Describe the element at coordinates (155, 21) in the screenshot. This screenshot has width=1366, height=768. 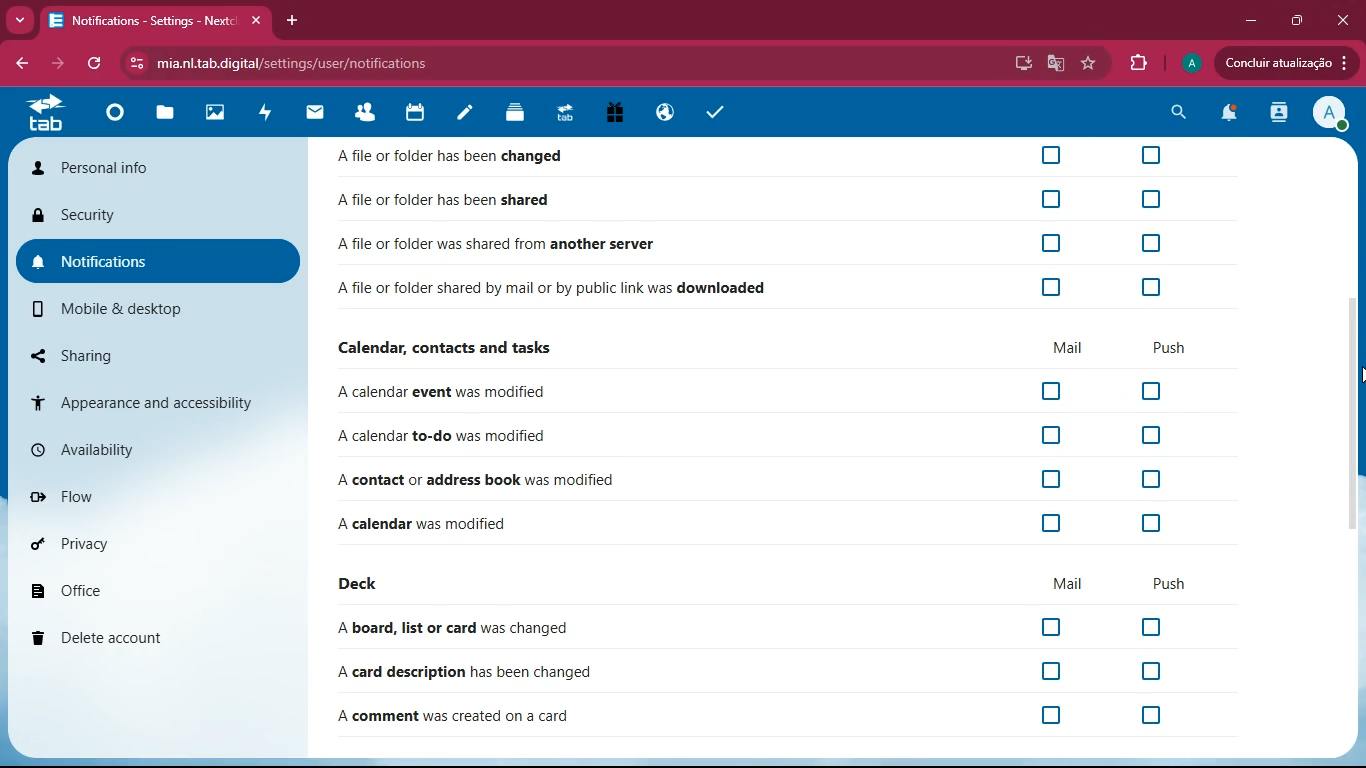
I see `Notifications - Settings - Nextc` at that location.